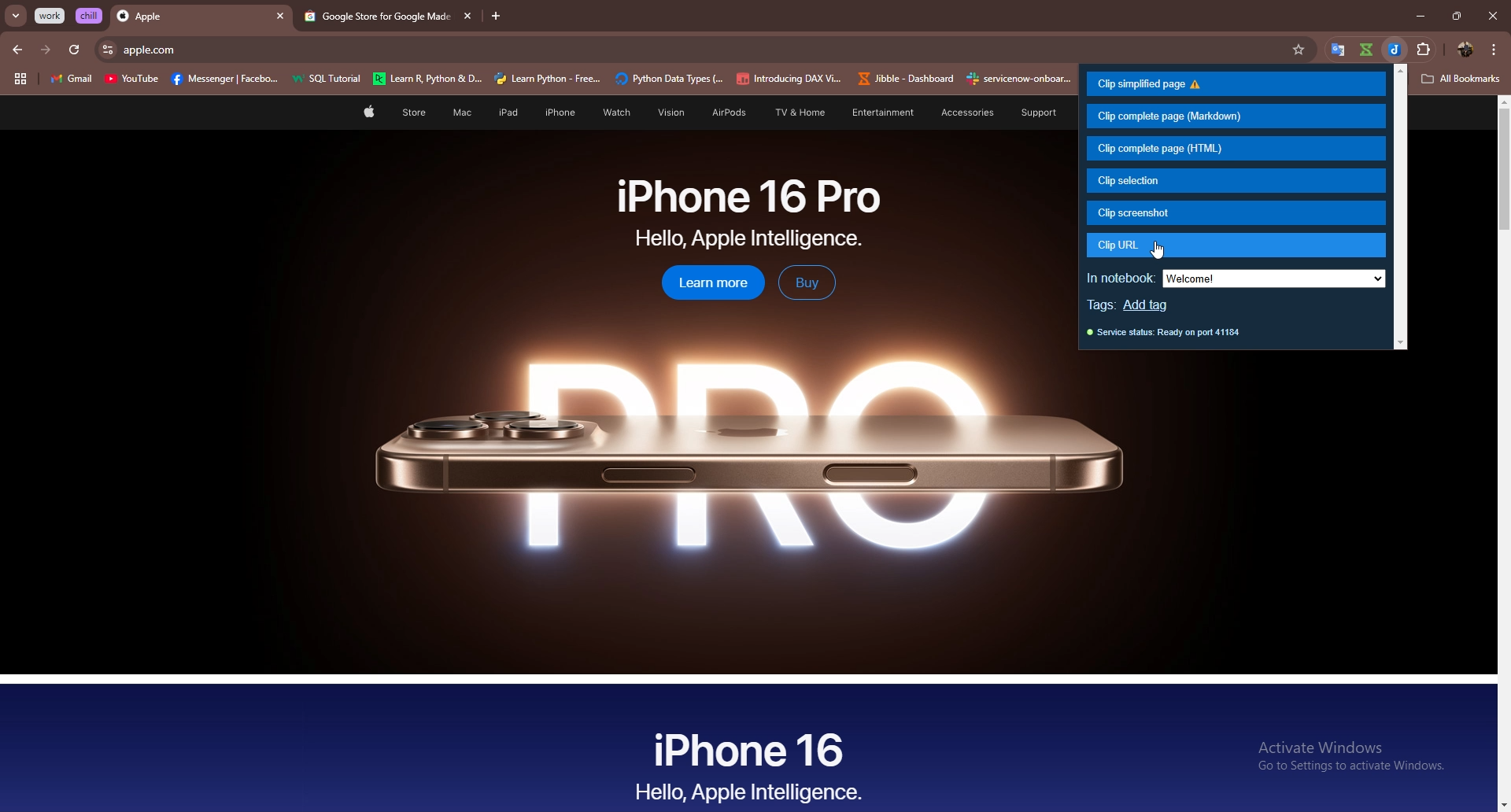  I want to click on chill, so click(91, 15).